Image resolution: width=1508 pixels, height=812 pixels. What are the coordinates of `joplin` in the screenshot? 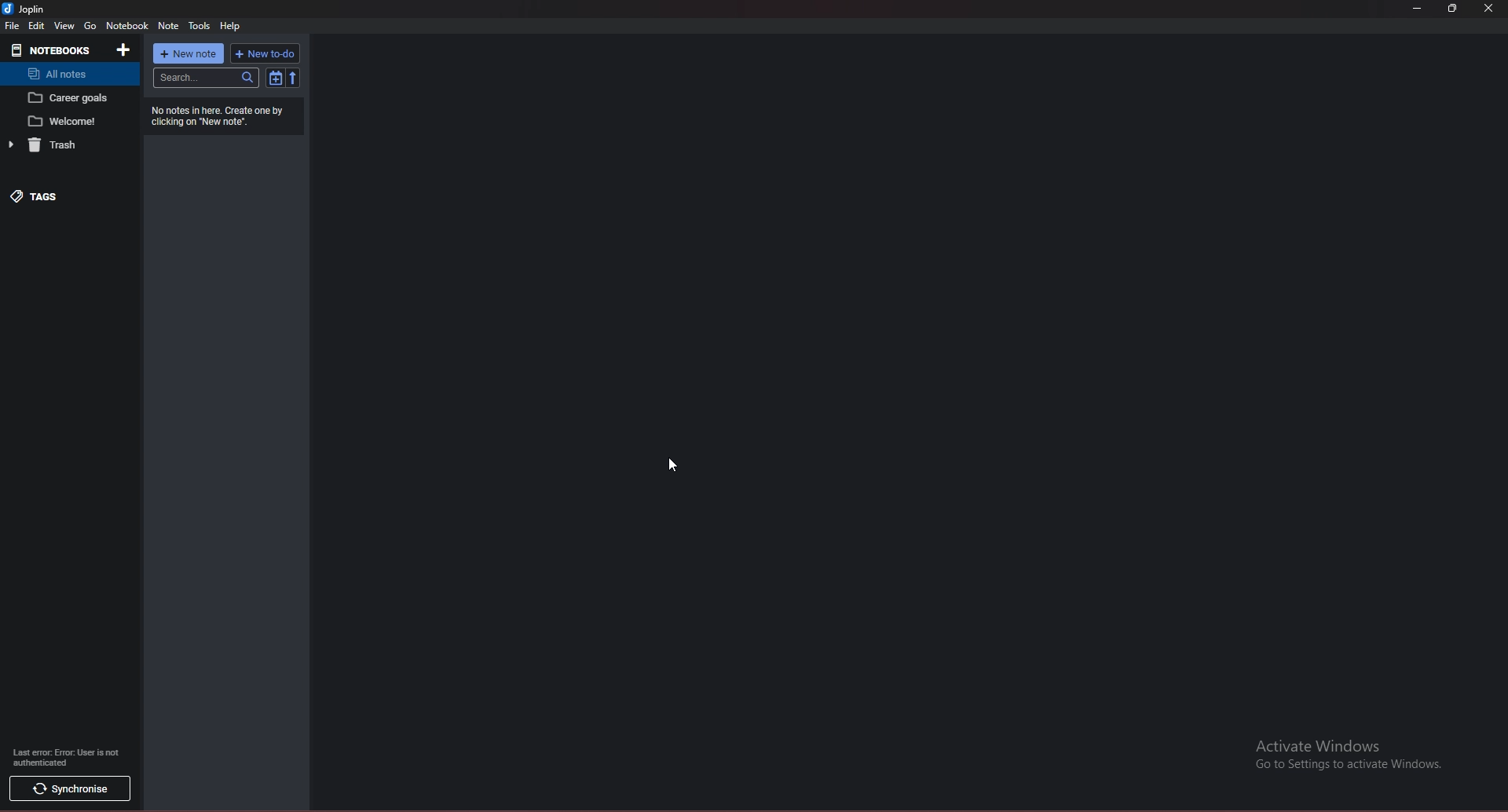 It's located at (25, 9).